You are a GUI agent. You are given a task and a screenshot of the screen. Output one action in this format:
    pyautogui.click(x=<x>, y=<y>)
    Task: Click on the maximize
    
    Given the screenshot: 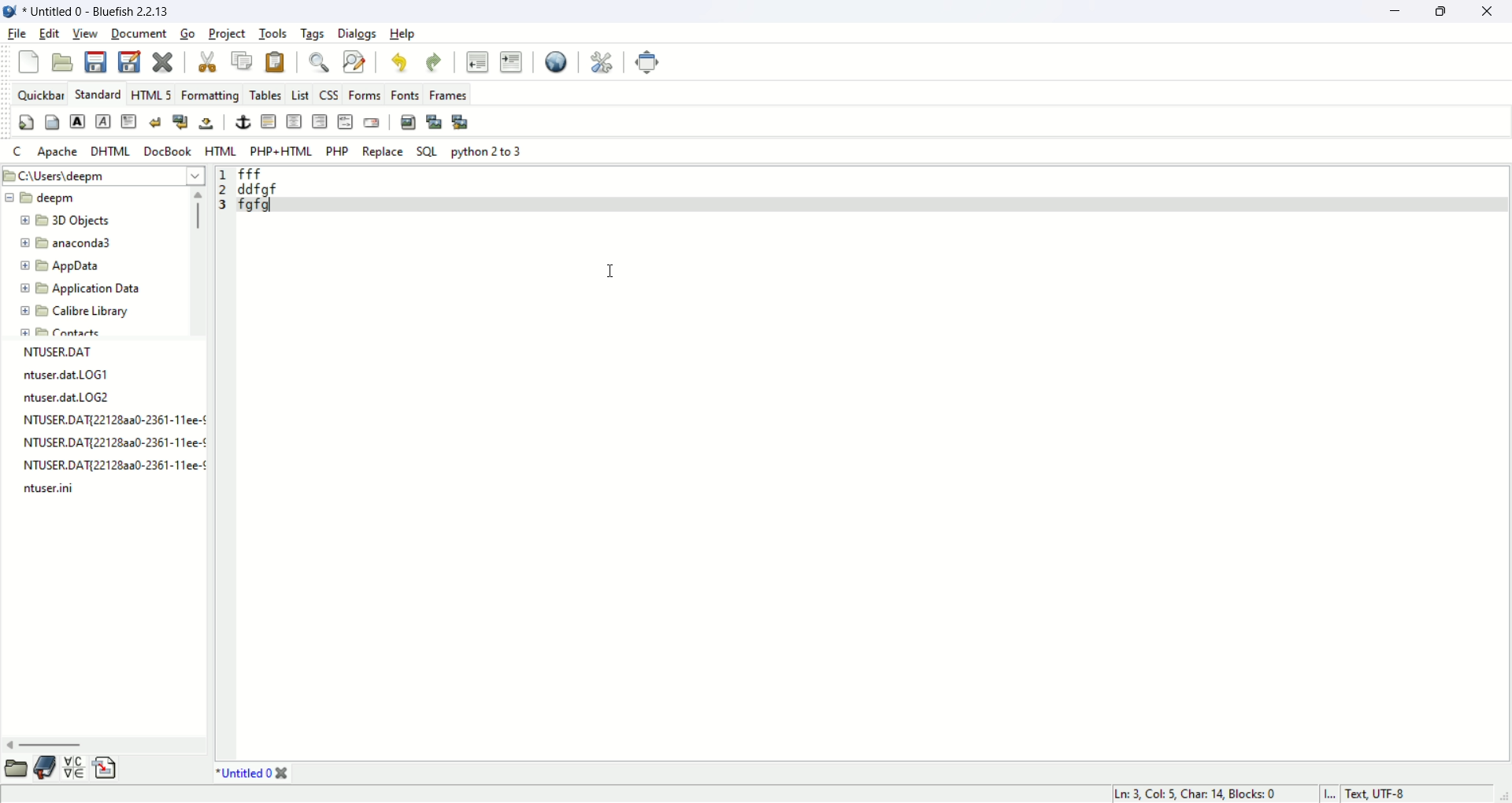 What is the action you would take?
    pyautogui.click(x=1443, y=13)
    